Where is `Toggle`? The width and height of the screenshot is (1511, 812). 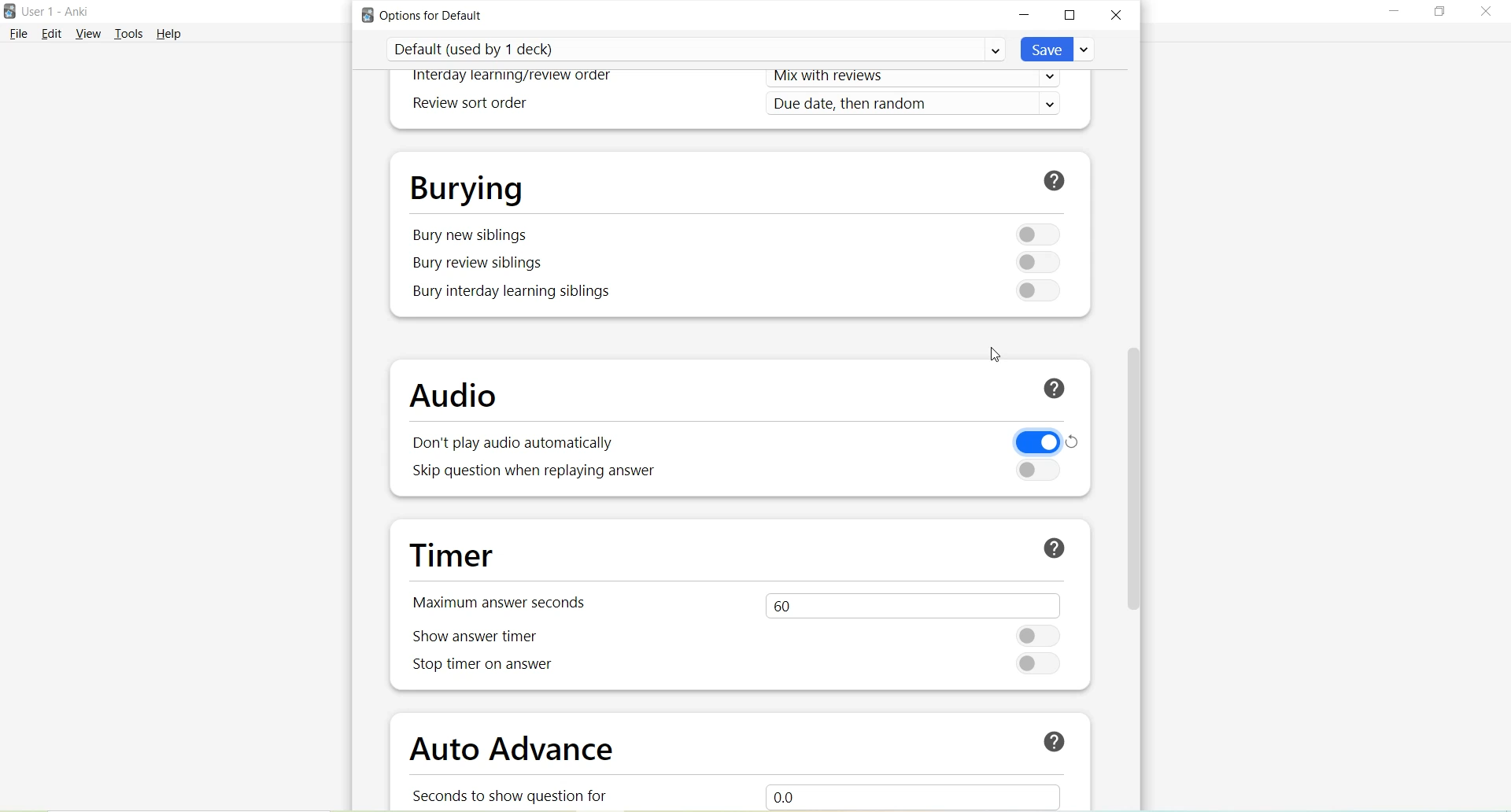 Toggle is located at coordinates (1040, 664).